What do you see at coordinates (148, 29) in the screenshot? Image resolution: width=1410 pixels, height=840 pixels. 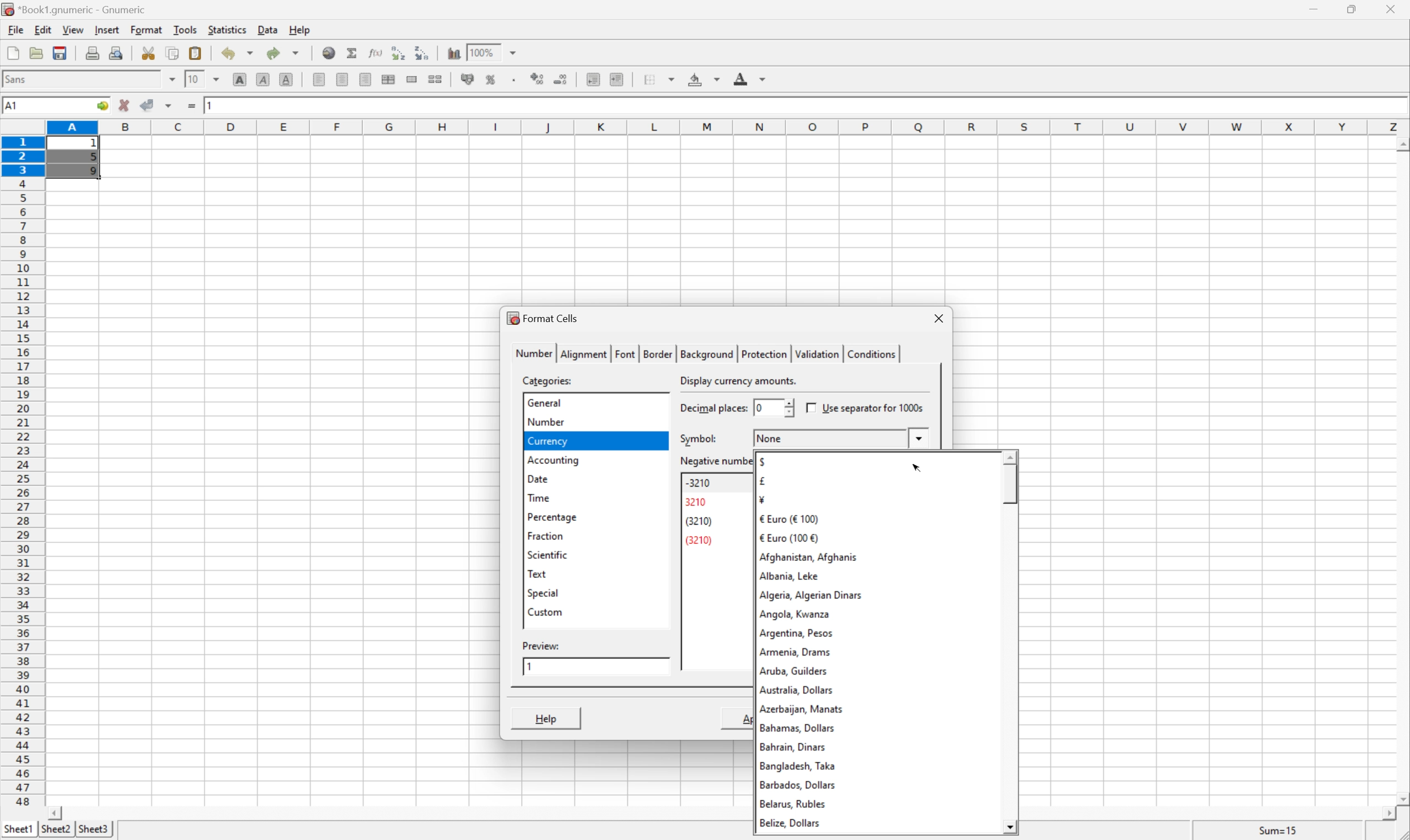 I see `format` at bounding box center [148, 29].